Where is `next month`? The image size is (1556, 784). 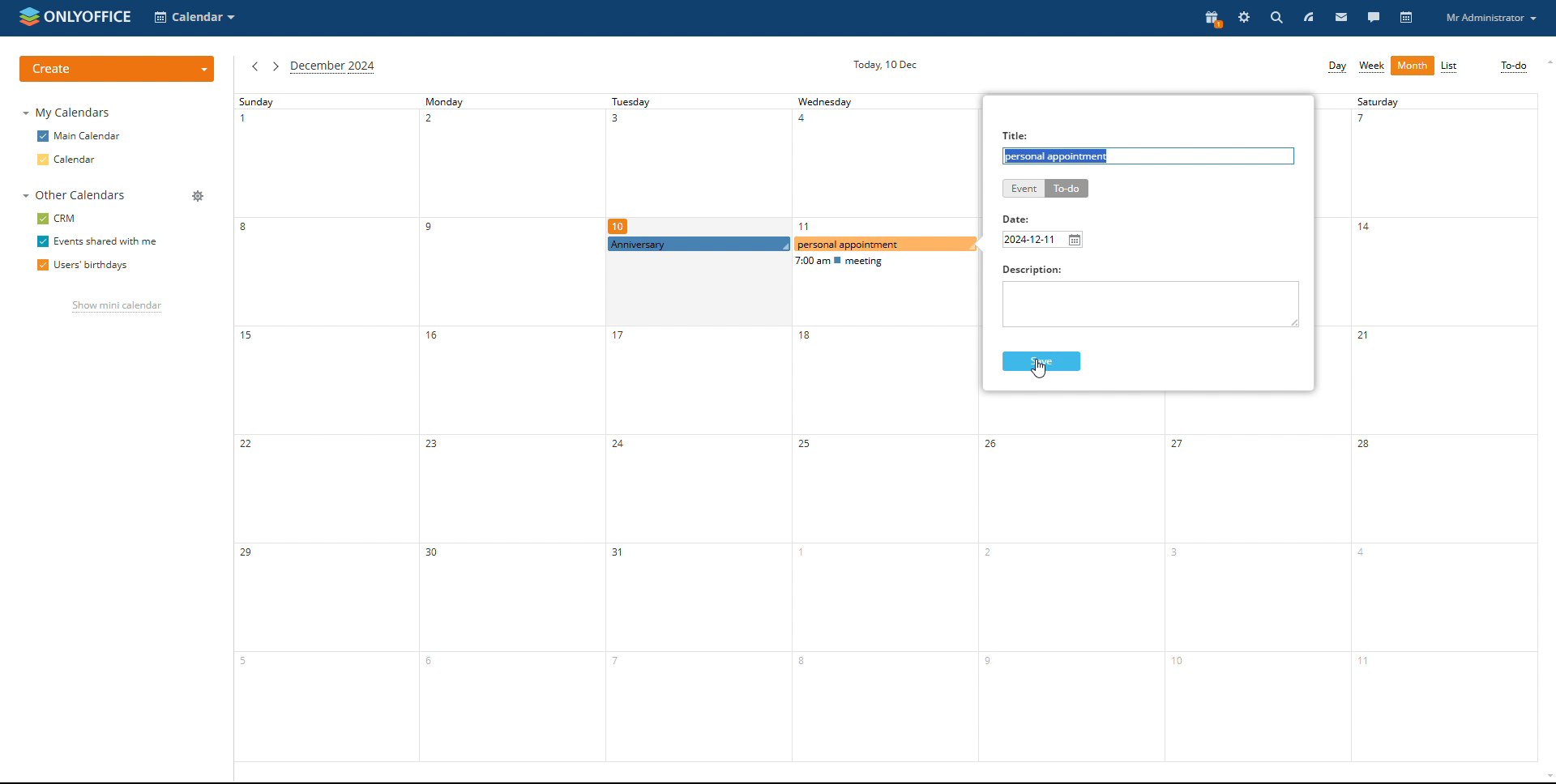 next month is located at coordinates (276, 66).